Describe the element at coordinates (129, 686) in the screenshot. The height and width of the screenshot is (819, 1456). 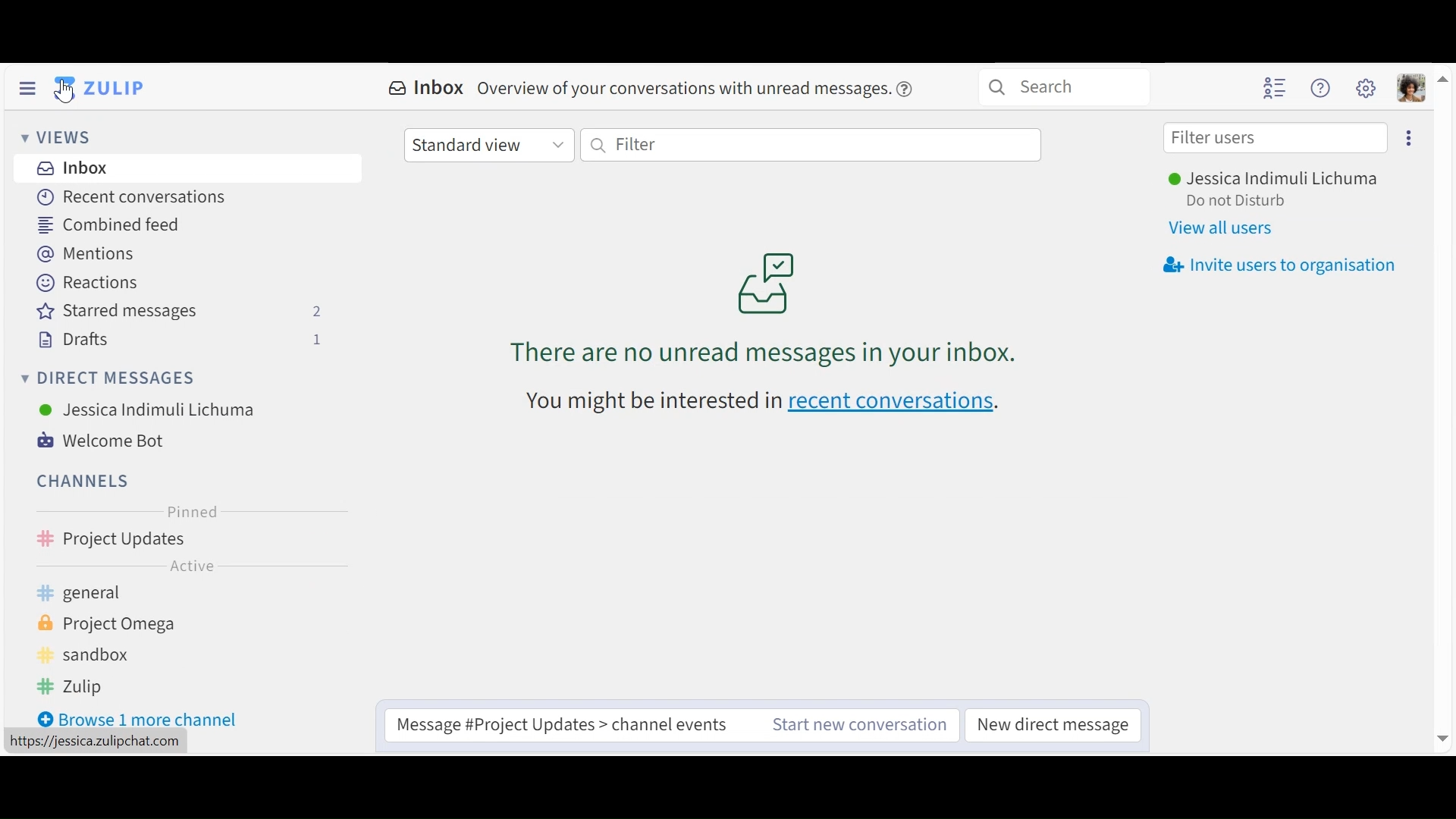
I see `Zulip` at that location.